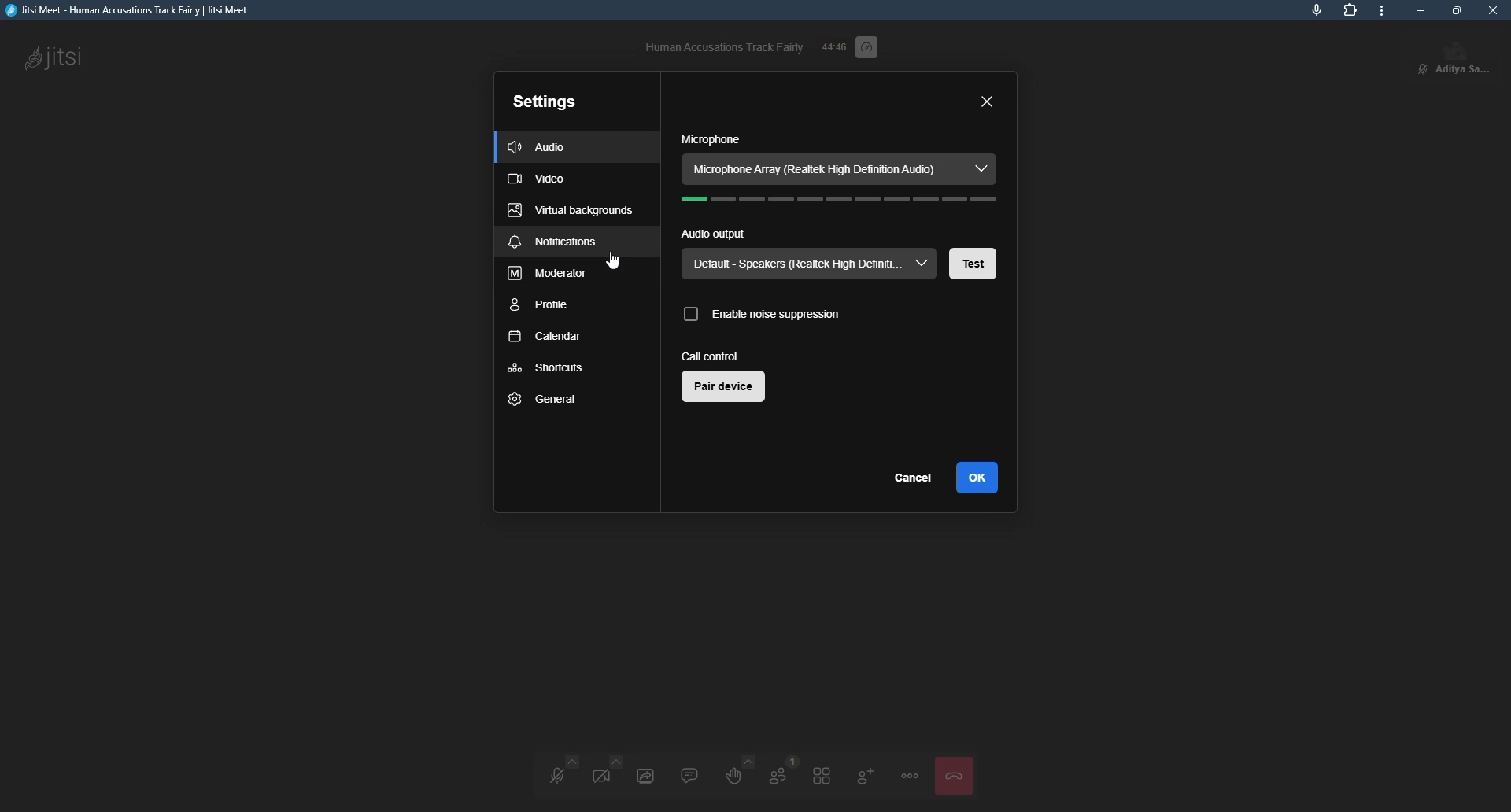 The image size is (1511, 812). What do you see at coordinates (922, 264) in the screenshot?
I see `drop down` at bounding box center [922, 264].